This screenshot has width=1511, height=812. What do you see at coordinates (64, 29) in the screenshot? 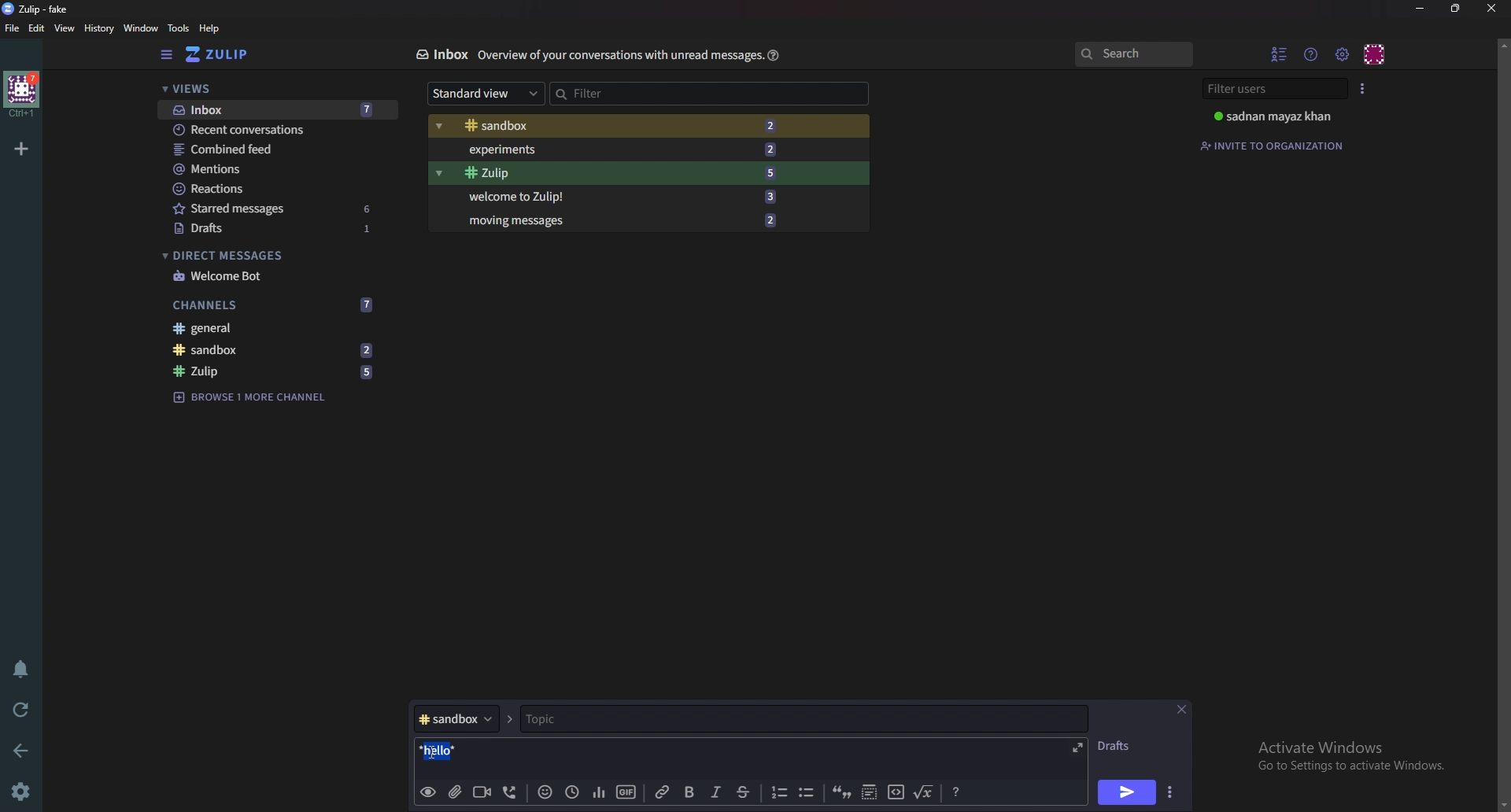
I see `View` at bounding box center [64, 29].